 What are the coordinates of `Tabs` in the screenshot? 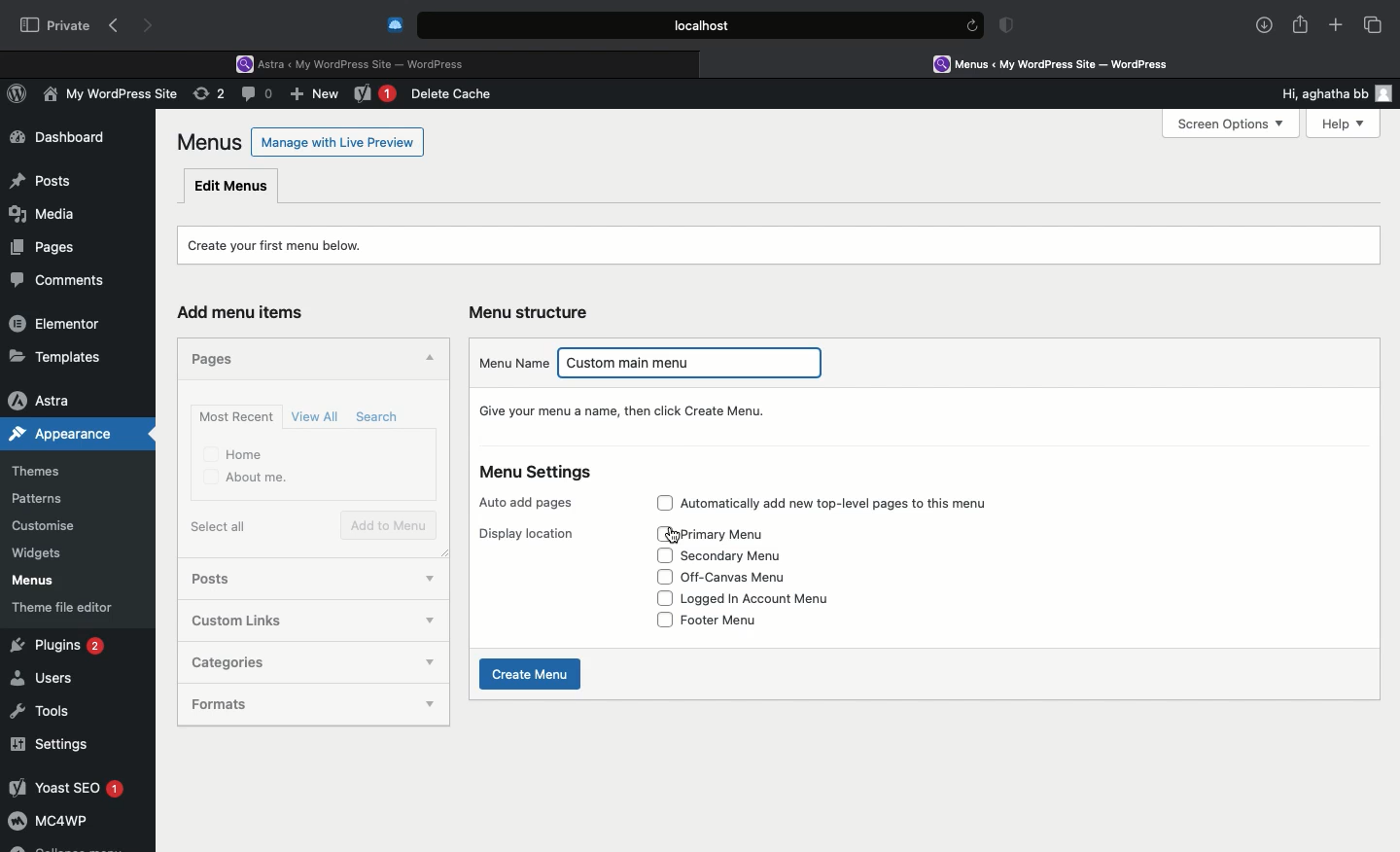 It's located at (1374, 24).